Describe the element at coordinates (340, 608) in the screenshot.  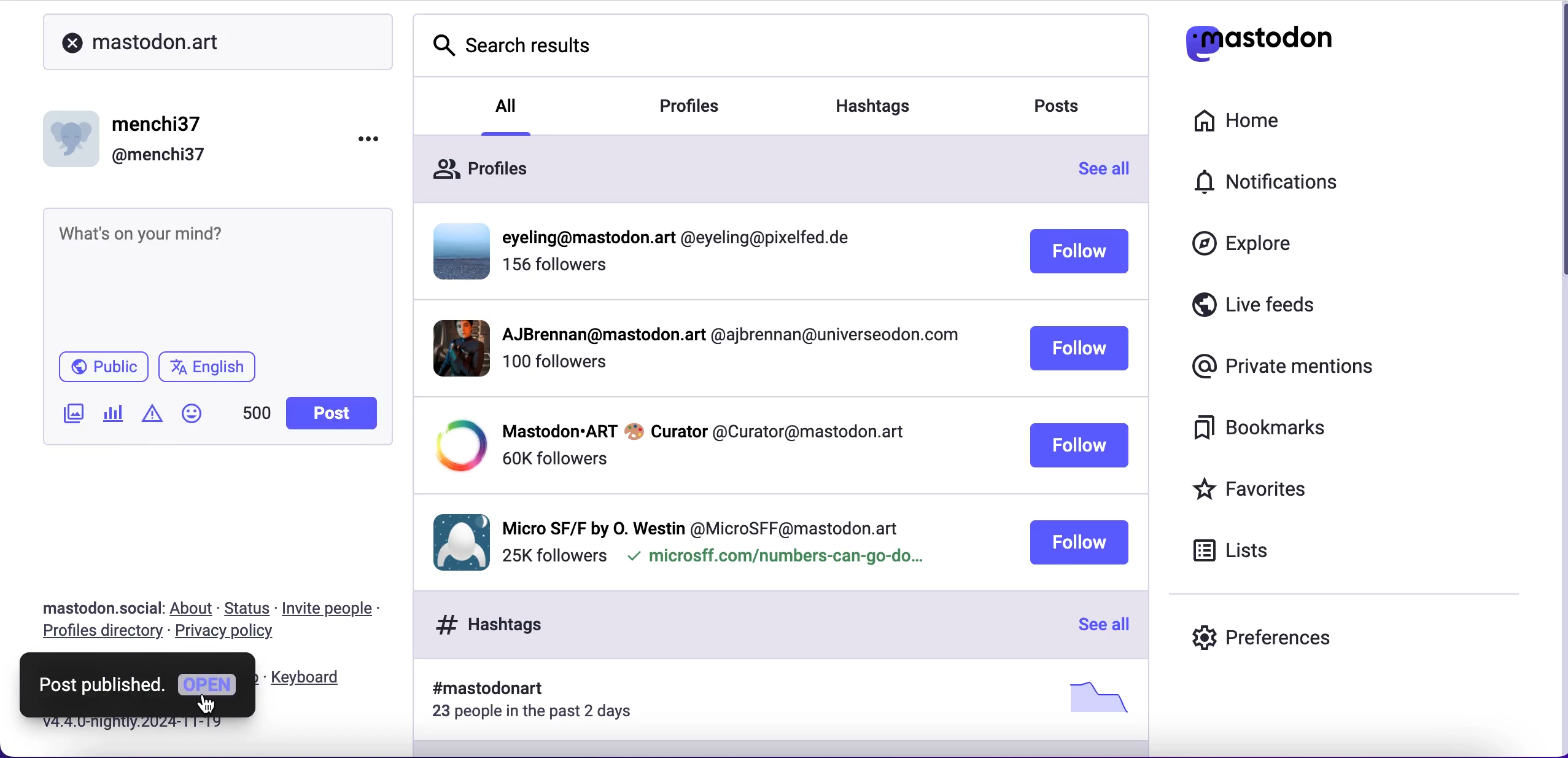
I see `invite people` at that location.